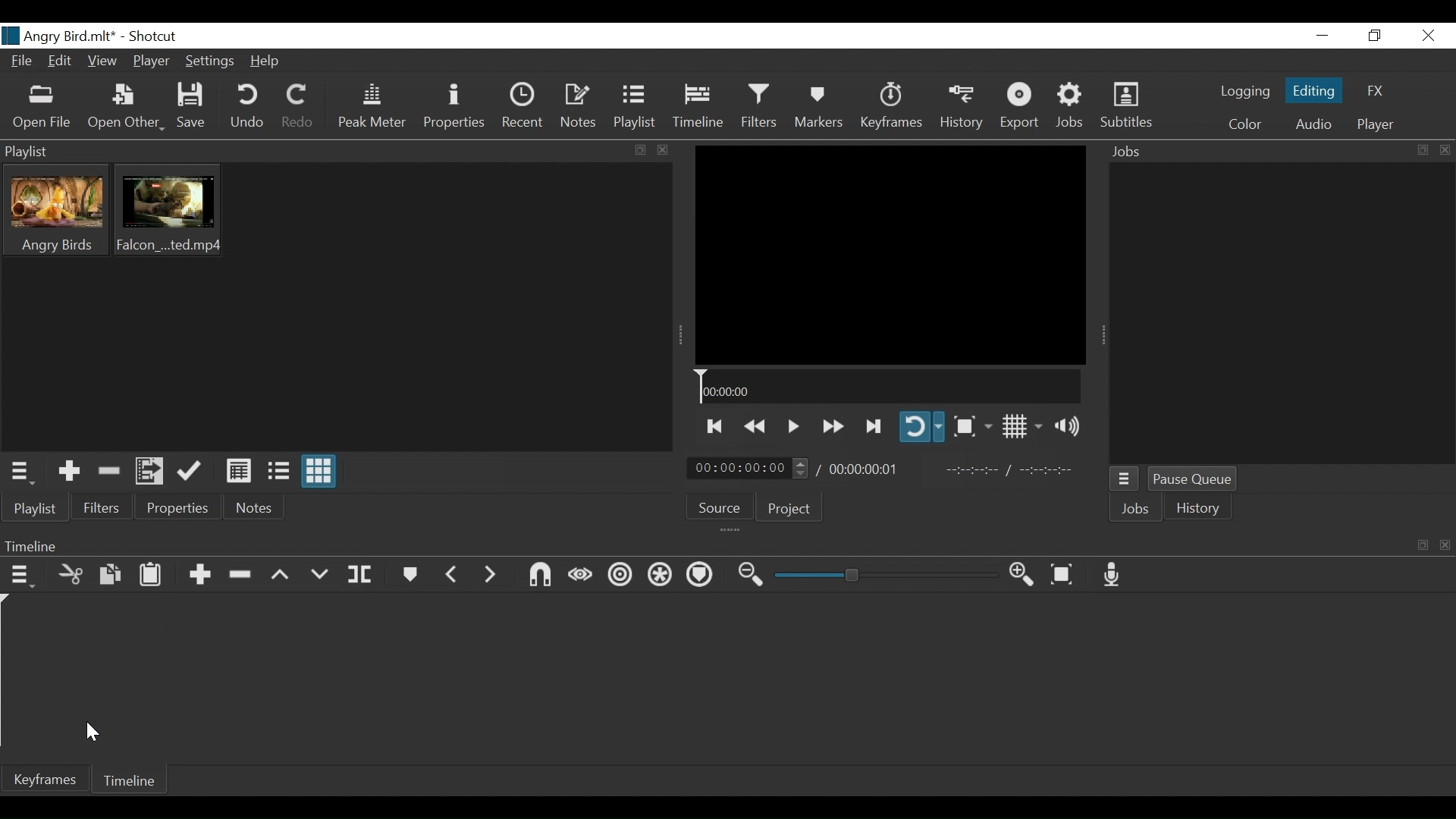 The image size is (1456, 819). Describe the element at coordinates (961, 107) in the screenshot. I see `History` at that location.